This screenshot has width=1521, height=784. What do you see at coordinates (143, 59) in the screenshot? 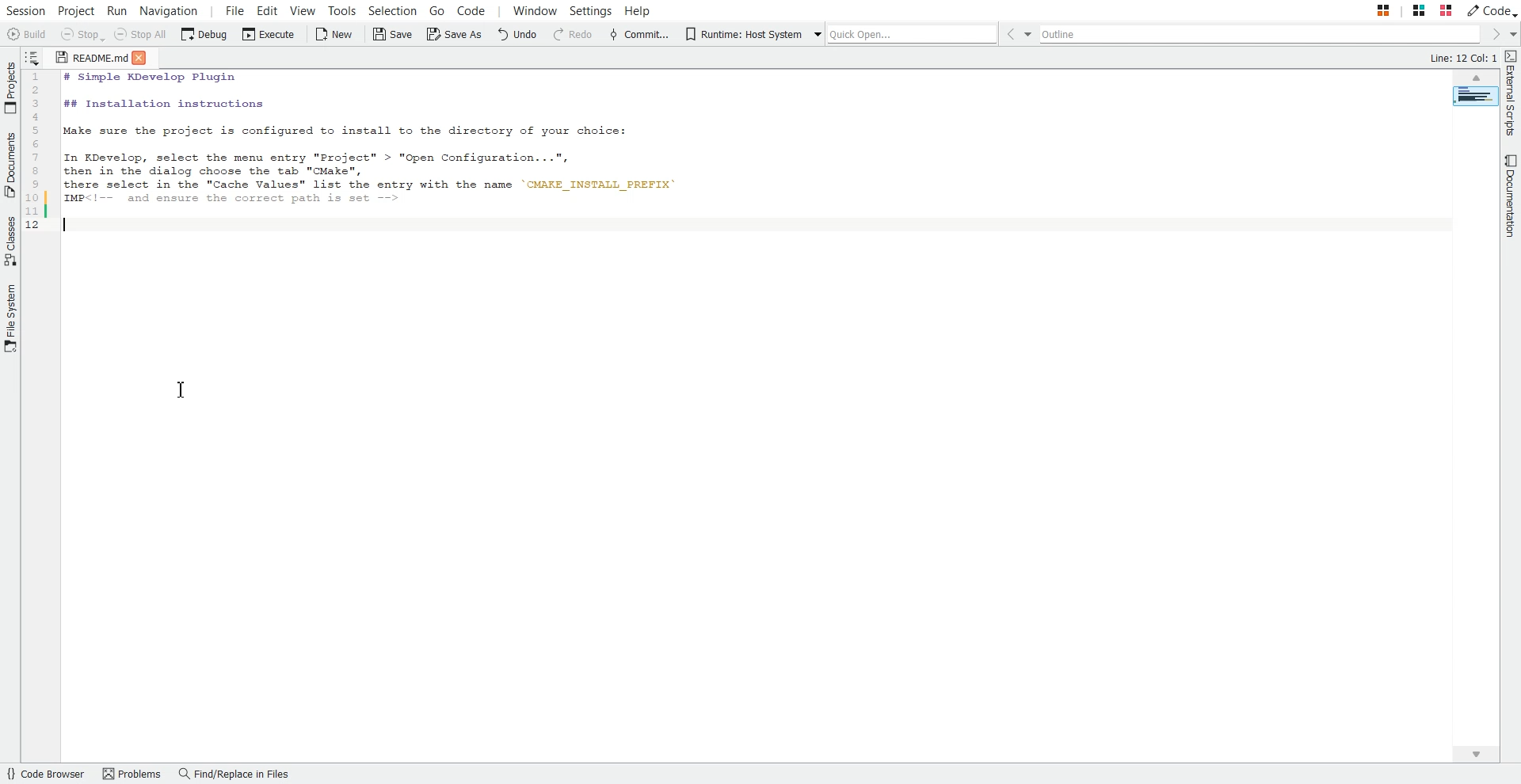
I see `Close` at bounding box center [143, 59].